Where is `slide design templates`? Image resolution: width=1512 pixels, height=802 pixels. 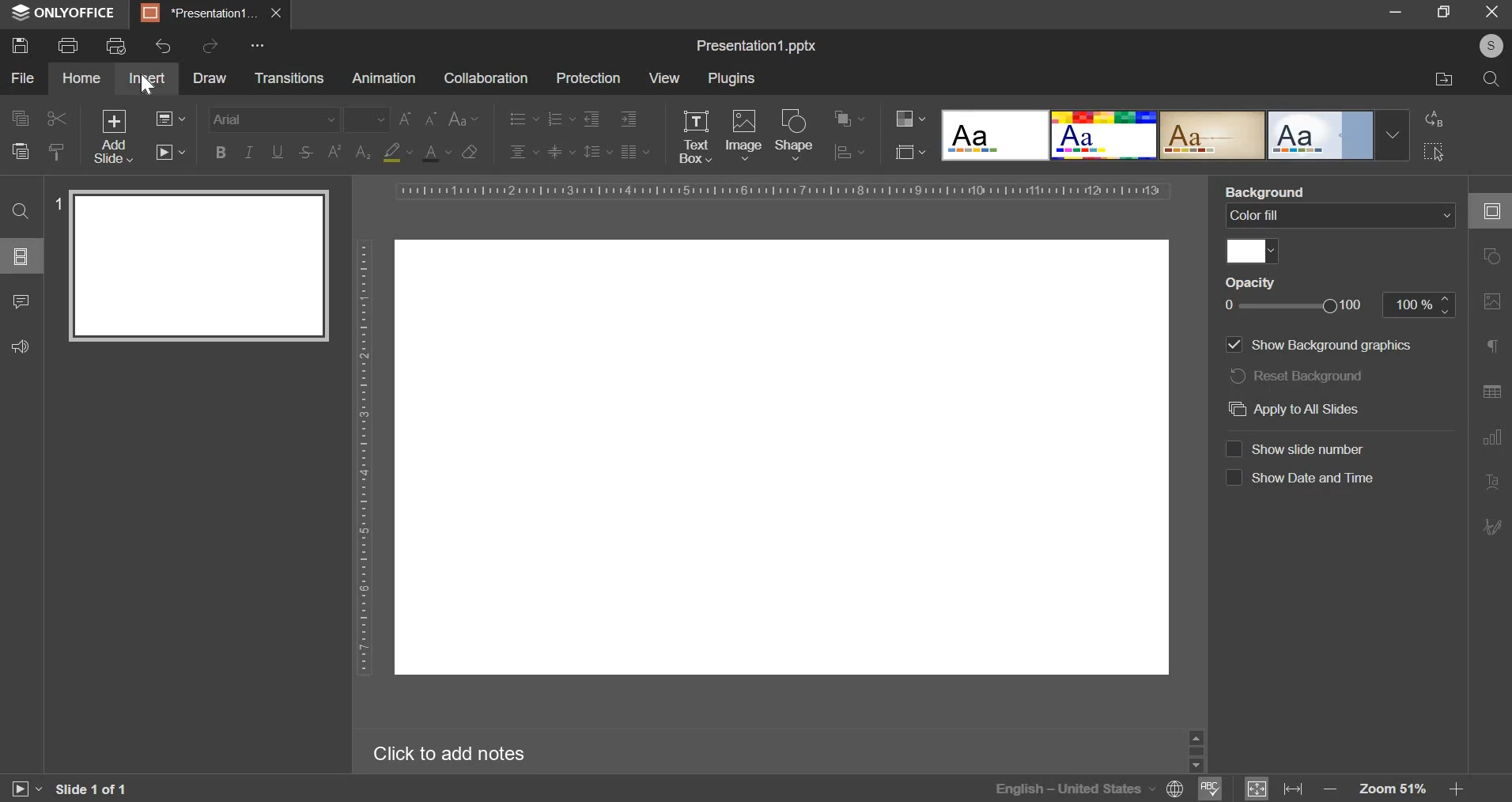 slide design templates is located at coordinates (1175, 134).